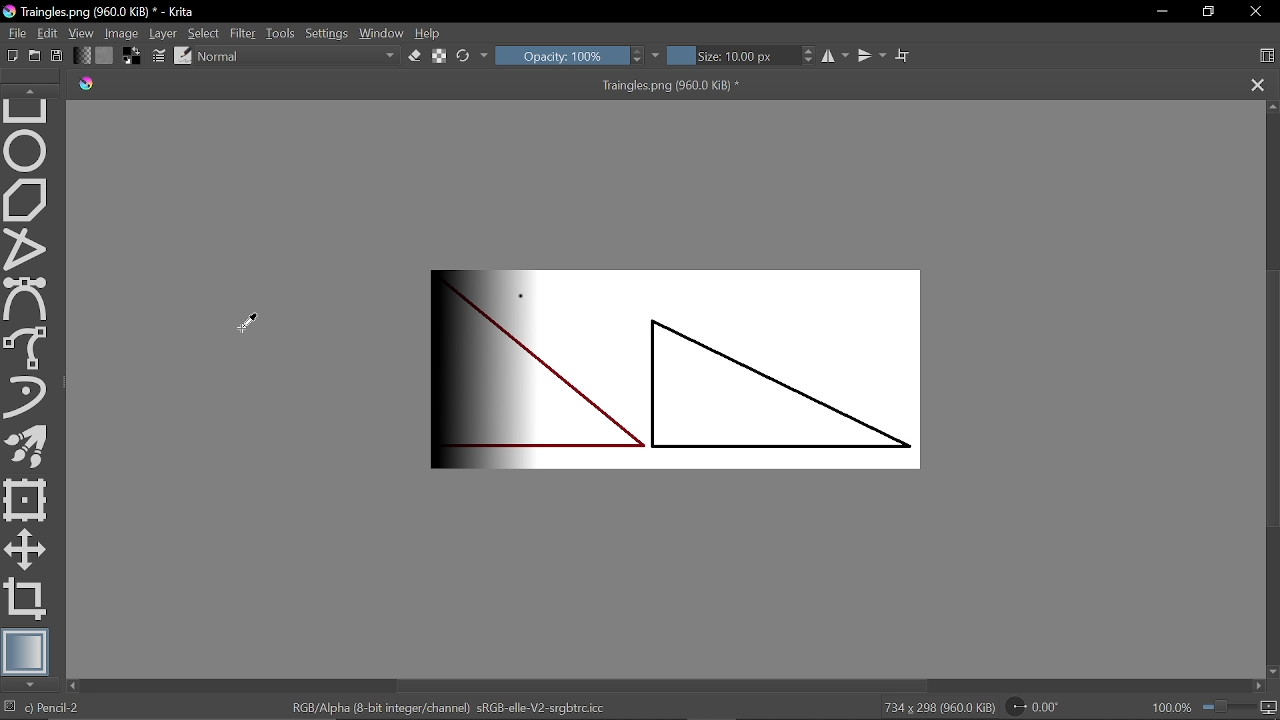  What do you see at coordinates (26, 500) in the screenshot?
I see `Transform a layer tool` at bounding box center [26, 500].